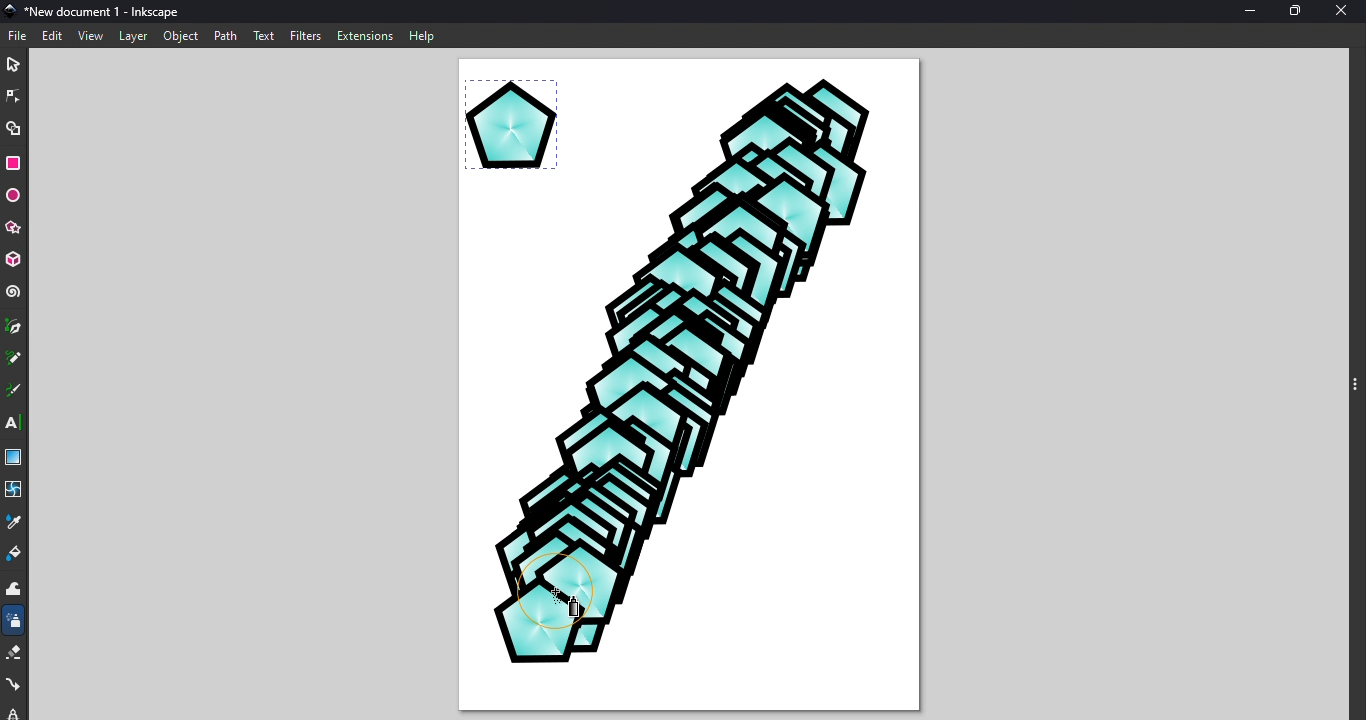 The image size is (1366, 720). I want to click on Node tool, so click(15, 93).